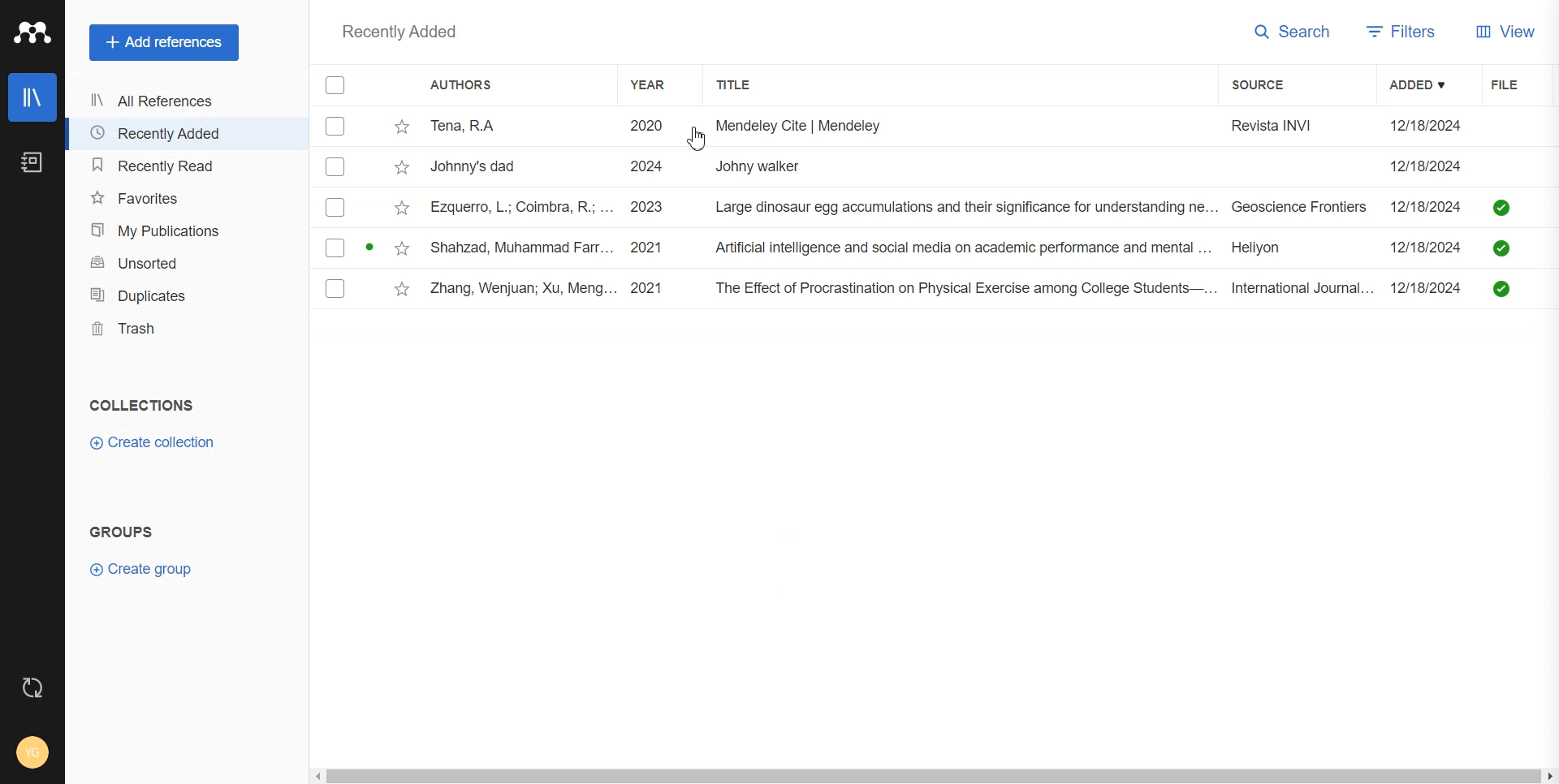  I want to click on Added, so click(1427, 84).